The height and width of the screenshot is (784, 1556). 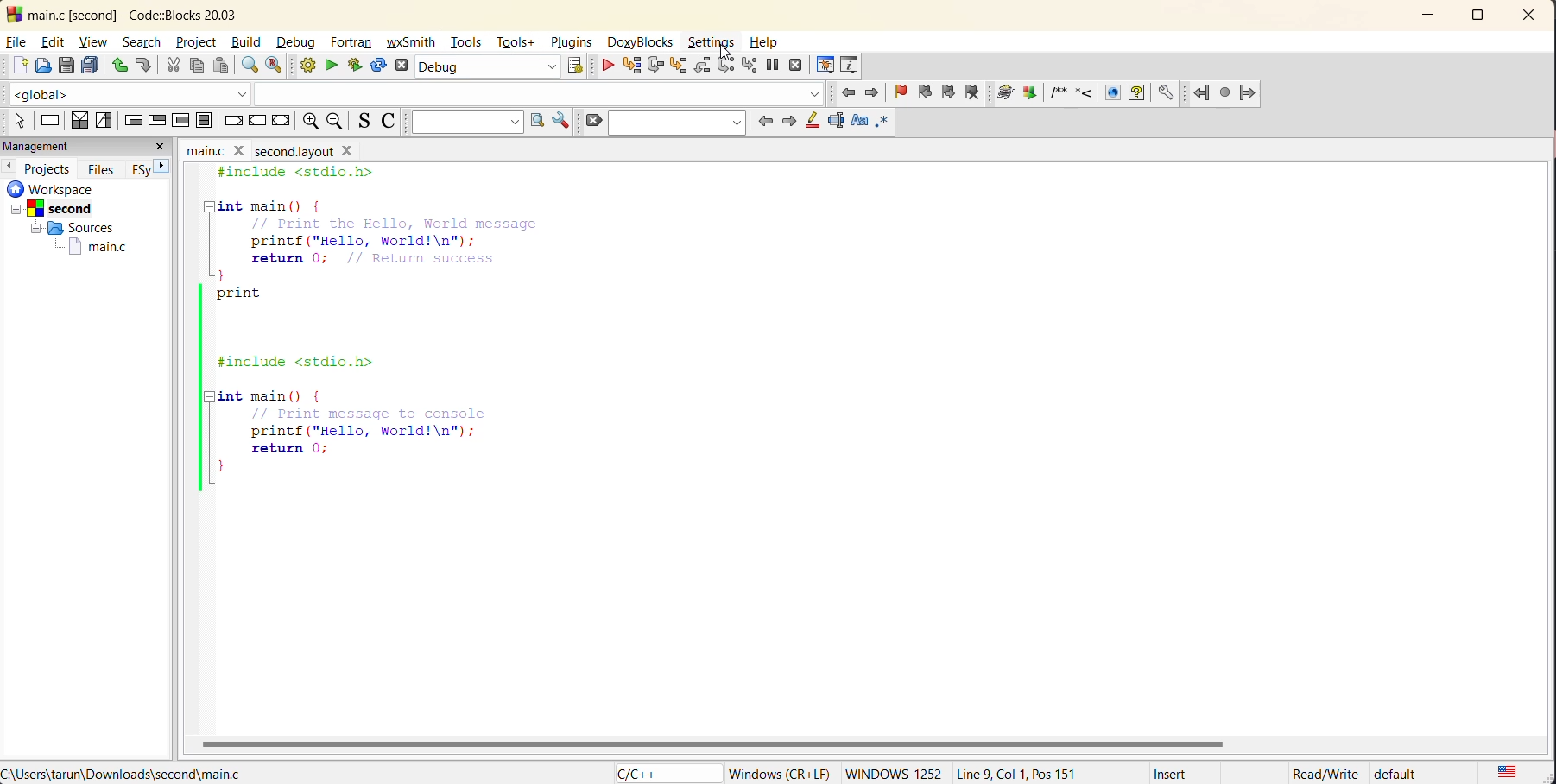 What do you see at coordinates (787, 121) in the screenshot?
I see `next` at bounding box center [787, 121].